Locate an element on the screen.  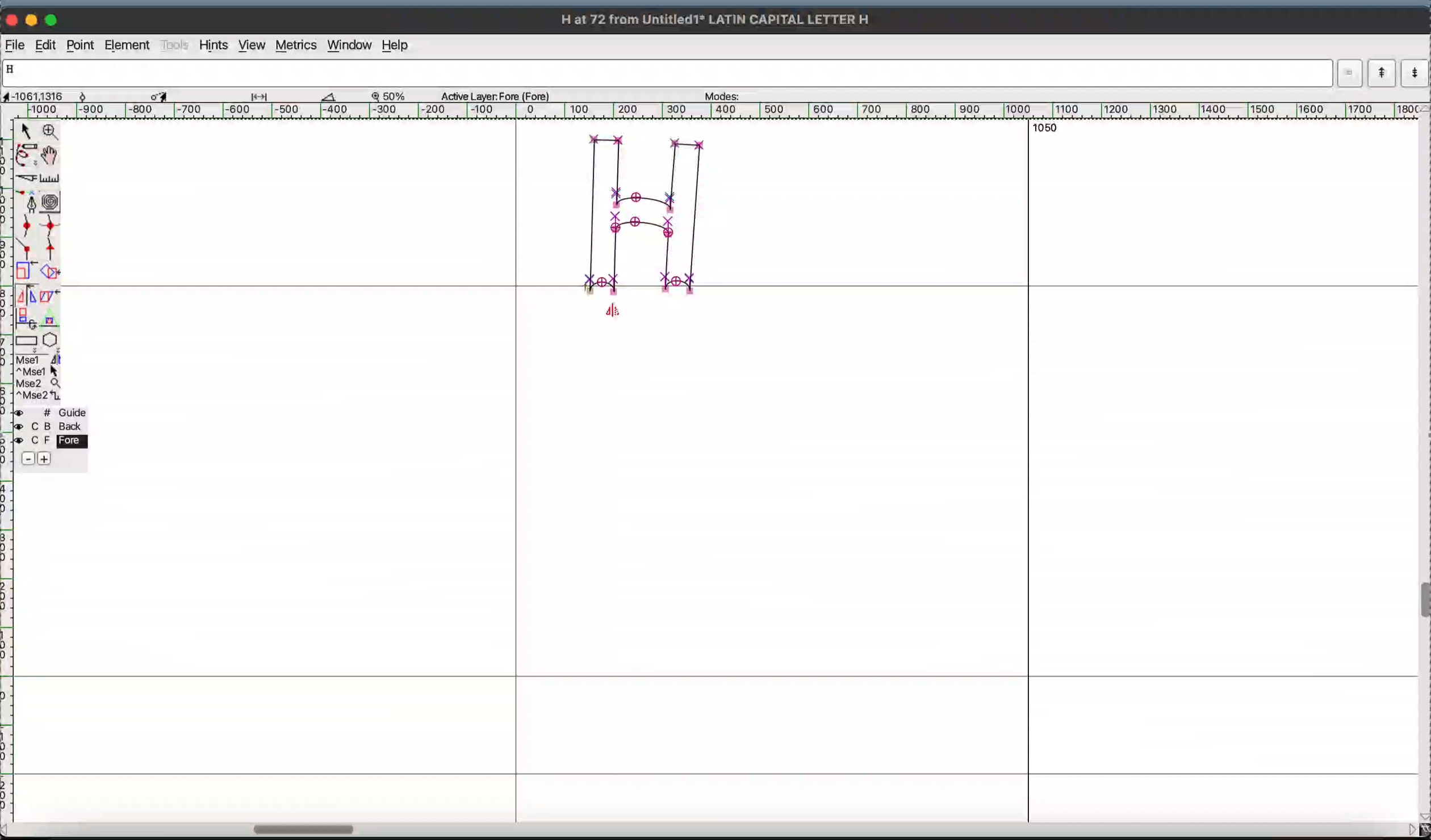
freehand is located at coordinates (27, 154).